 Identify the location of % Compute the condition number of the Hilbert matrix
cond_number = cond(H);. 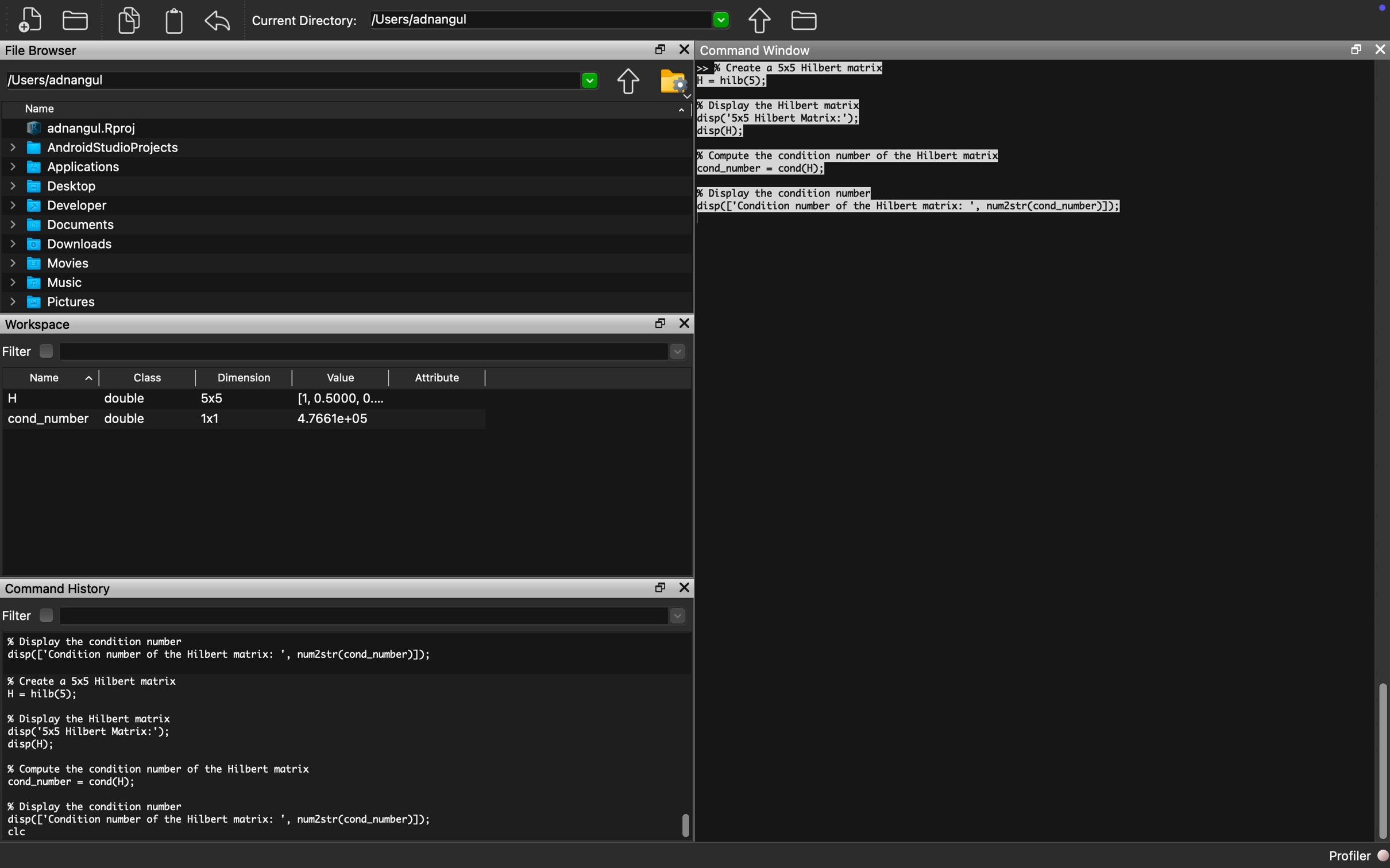
(161, 775).